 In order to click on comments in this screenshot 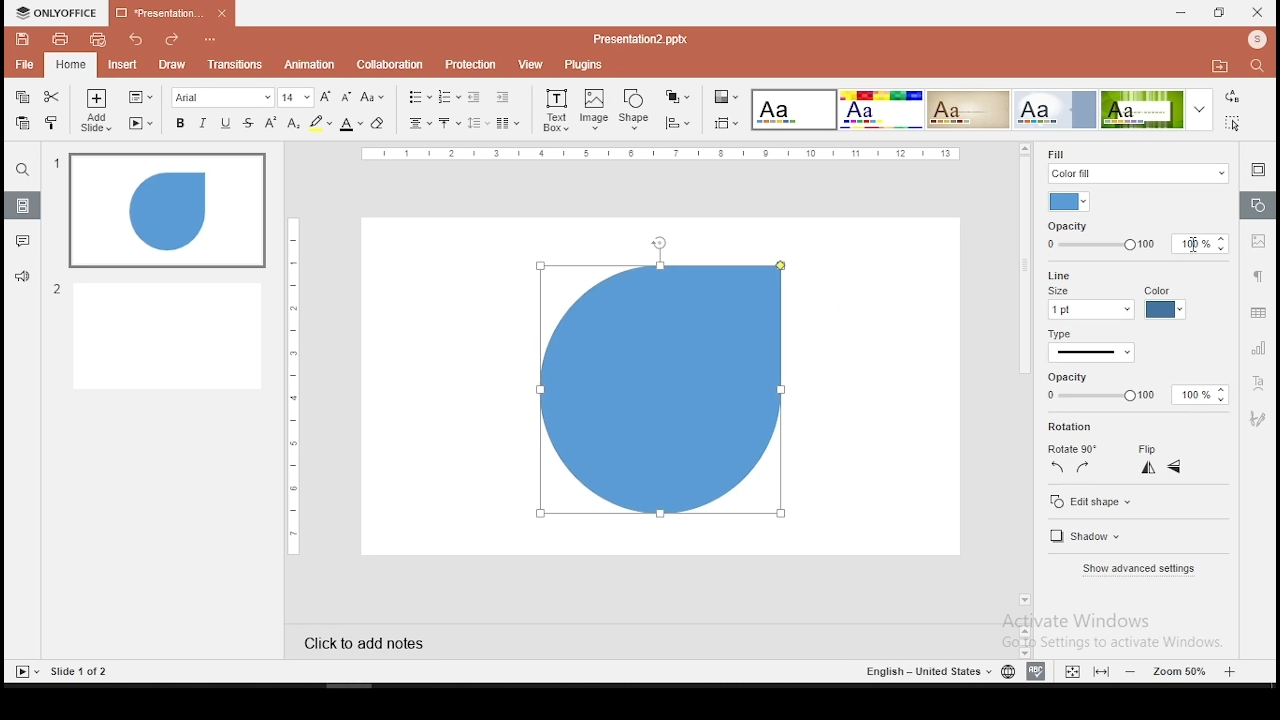, I will do `click(20, 242)`.